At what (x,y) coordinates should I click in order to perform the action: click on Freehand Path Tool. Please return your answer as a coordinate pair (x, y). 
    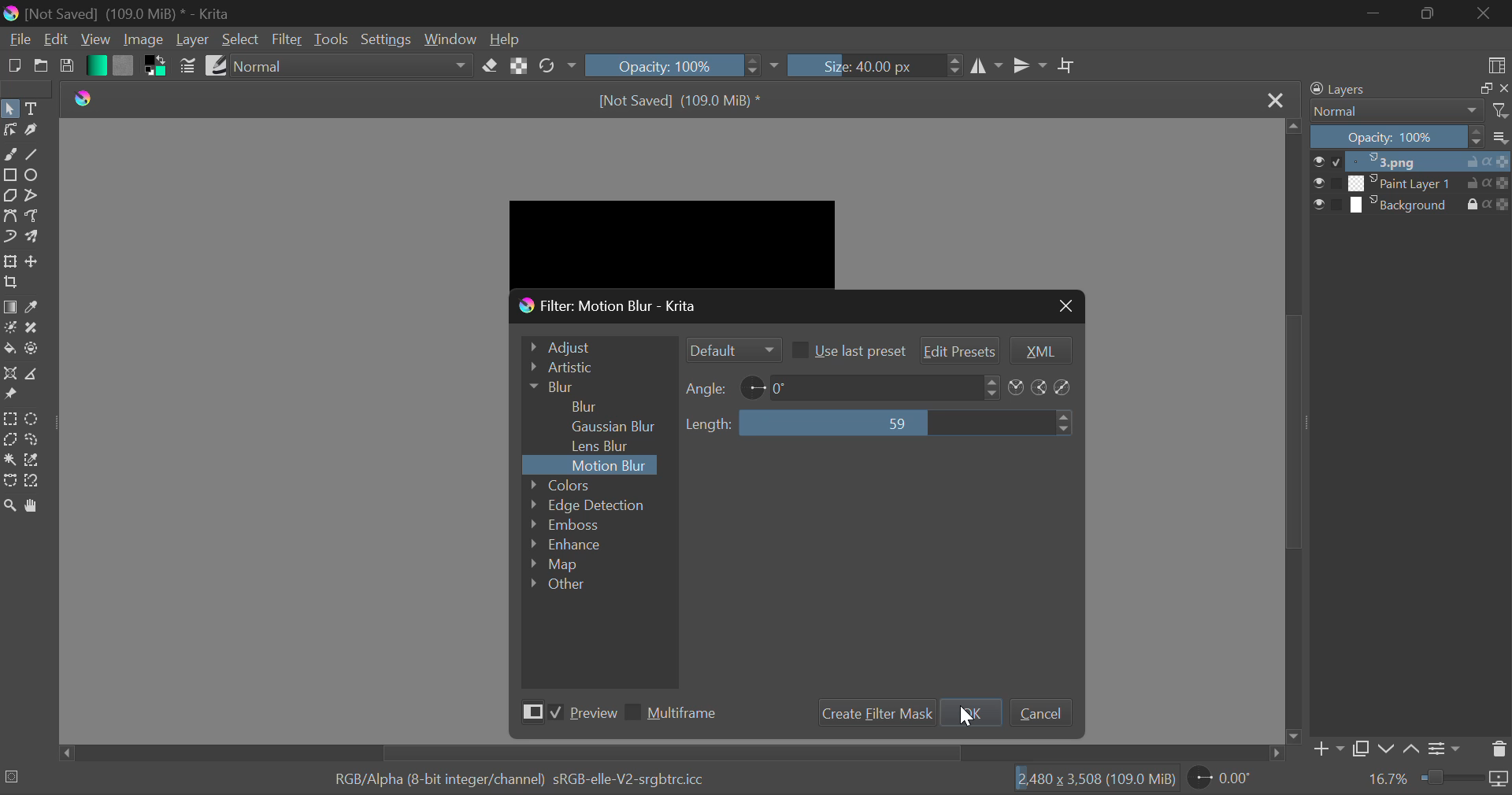
    Looking at the image, I should click on (33, 215).